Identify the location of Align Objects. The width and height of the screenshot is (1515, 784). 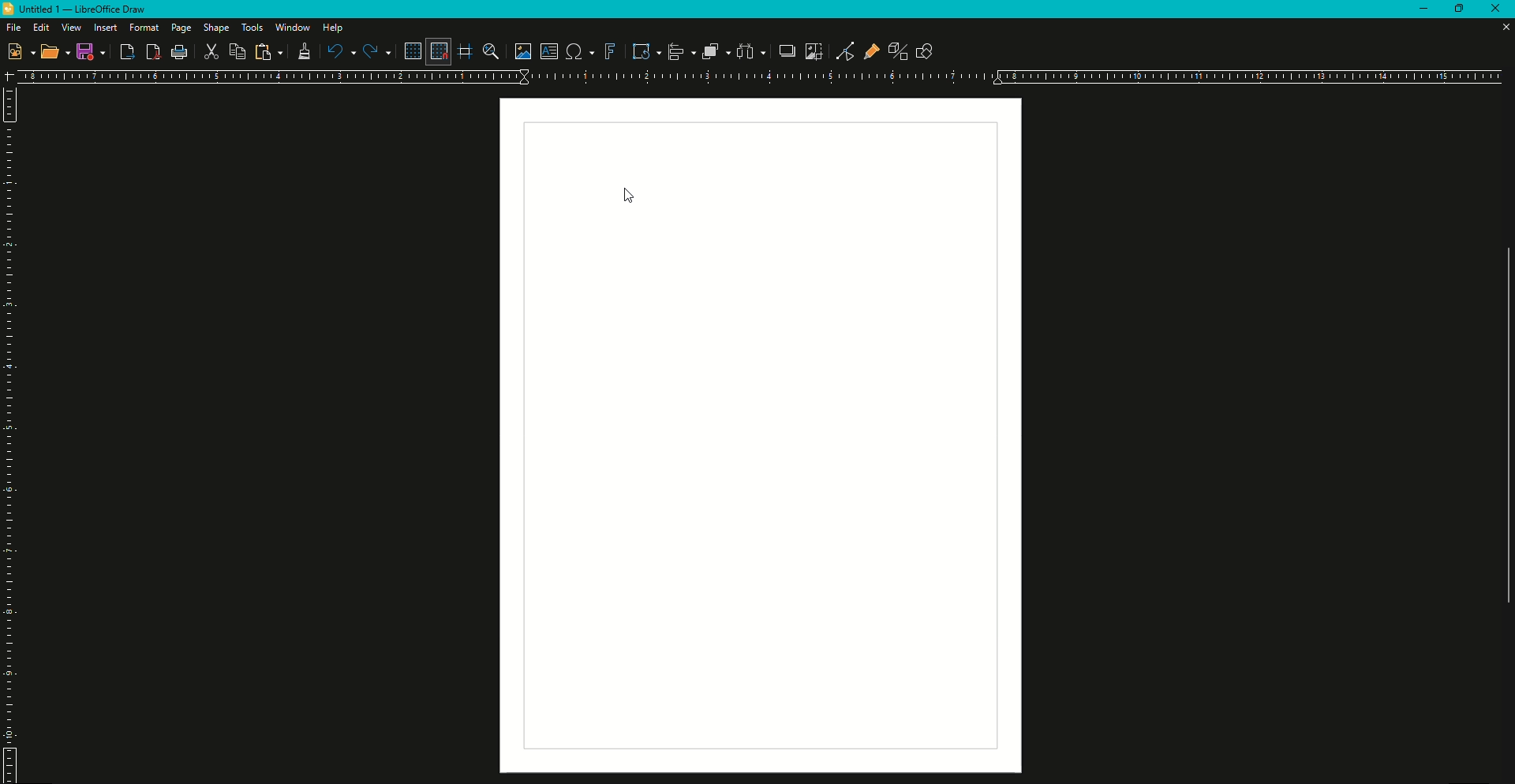
(679, 52).